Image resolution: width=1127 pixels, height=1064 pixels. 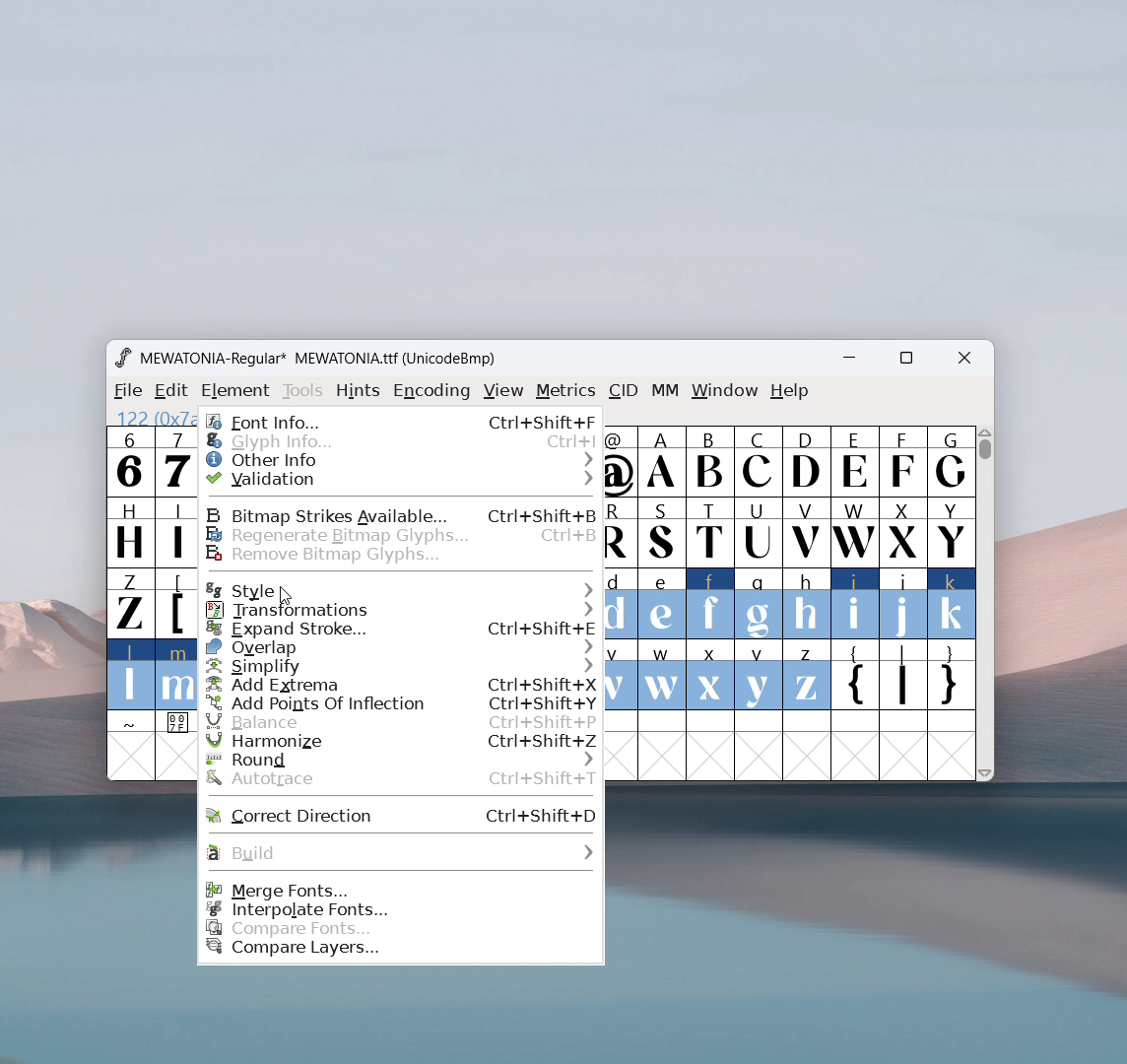 What do you see at coordinates (662, 534) in the screenshot?
I see `S` at bounding box center [662, 534].